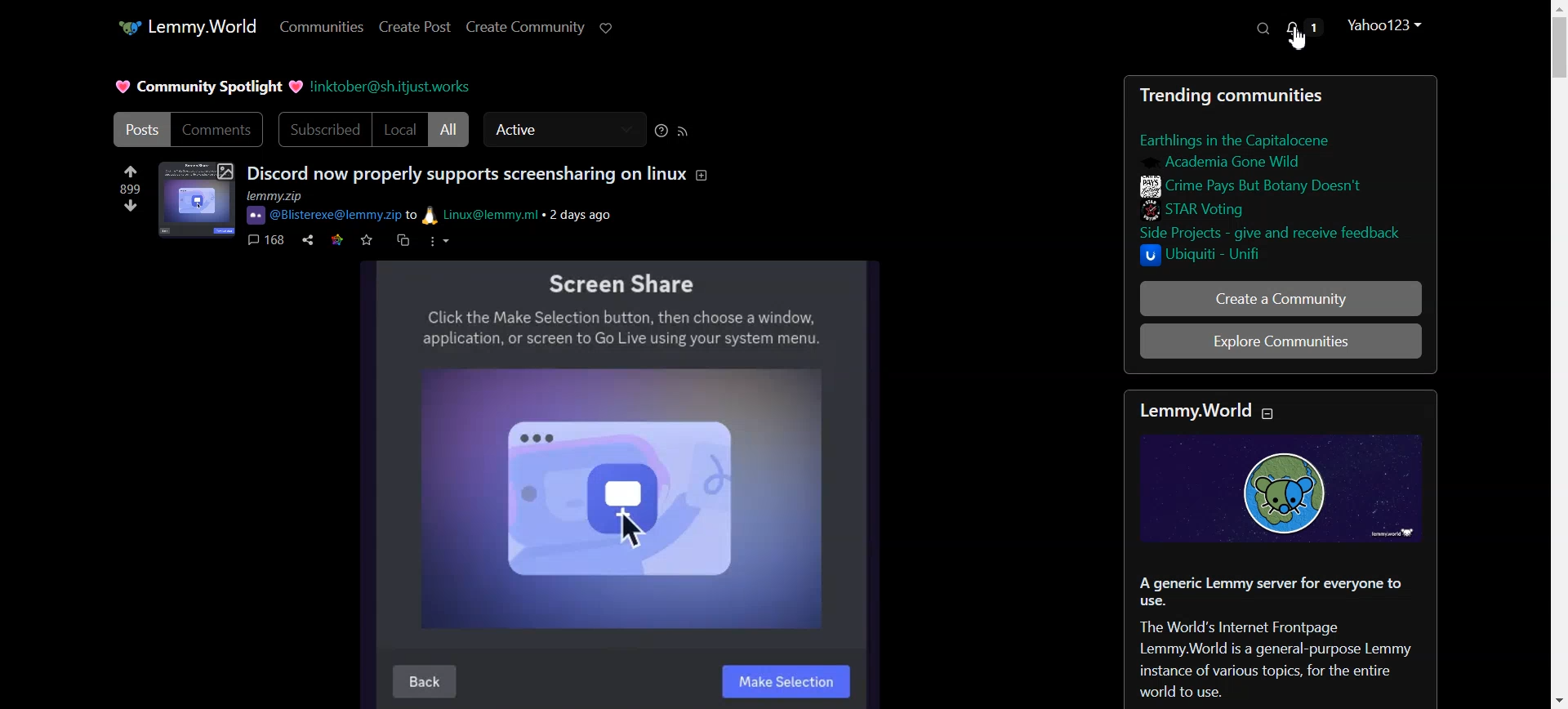 The image size is (1568, 709). Describe the element at coordinates (141, 129) in the screenshot. I see `Post` at that location.